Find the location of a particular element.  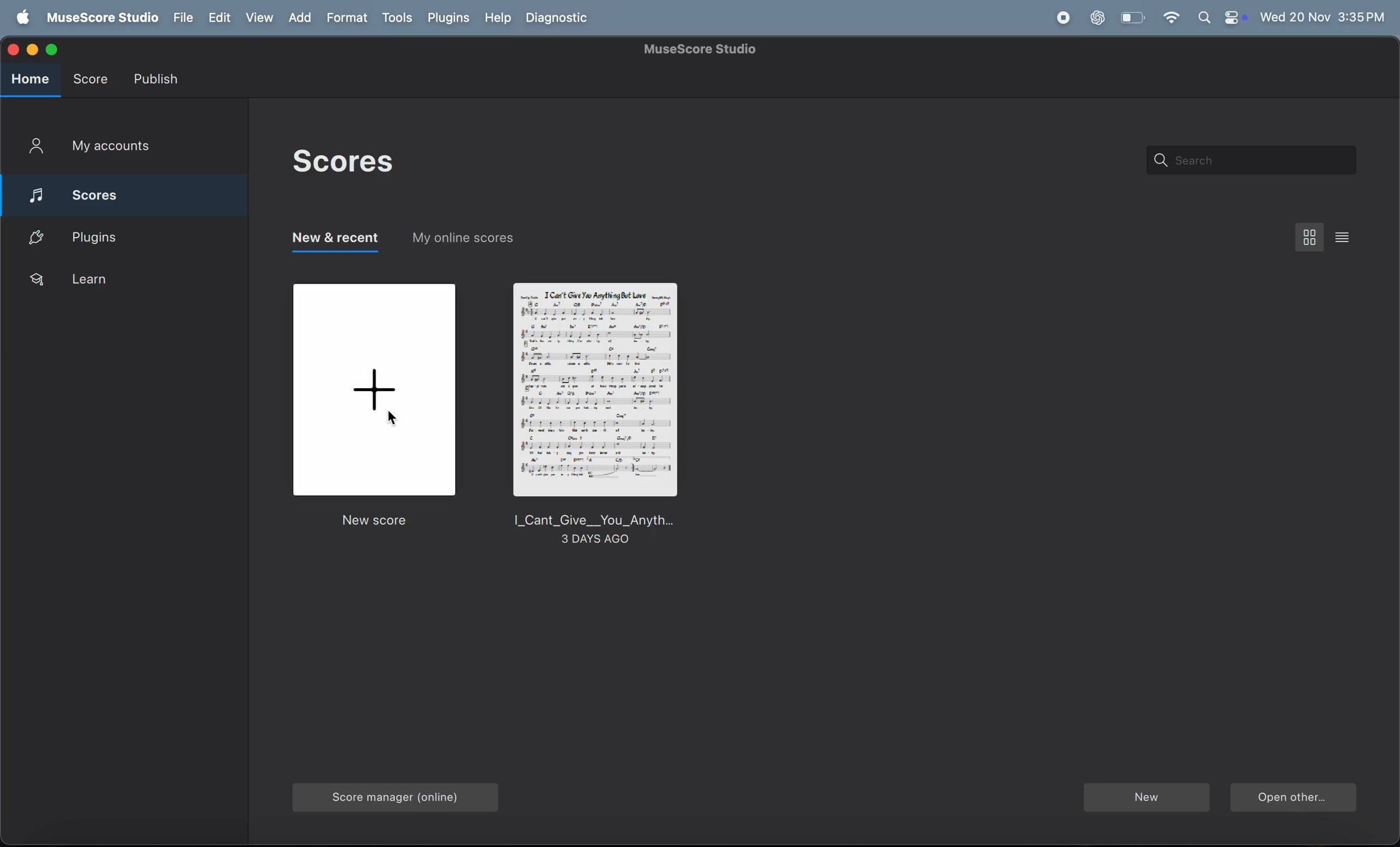

My account is located at coordinates (90, 148).